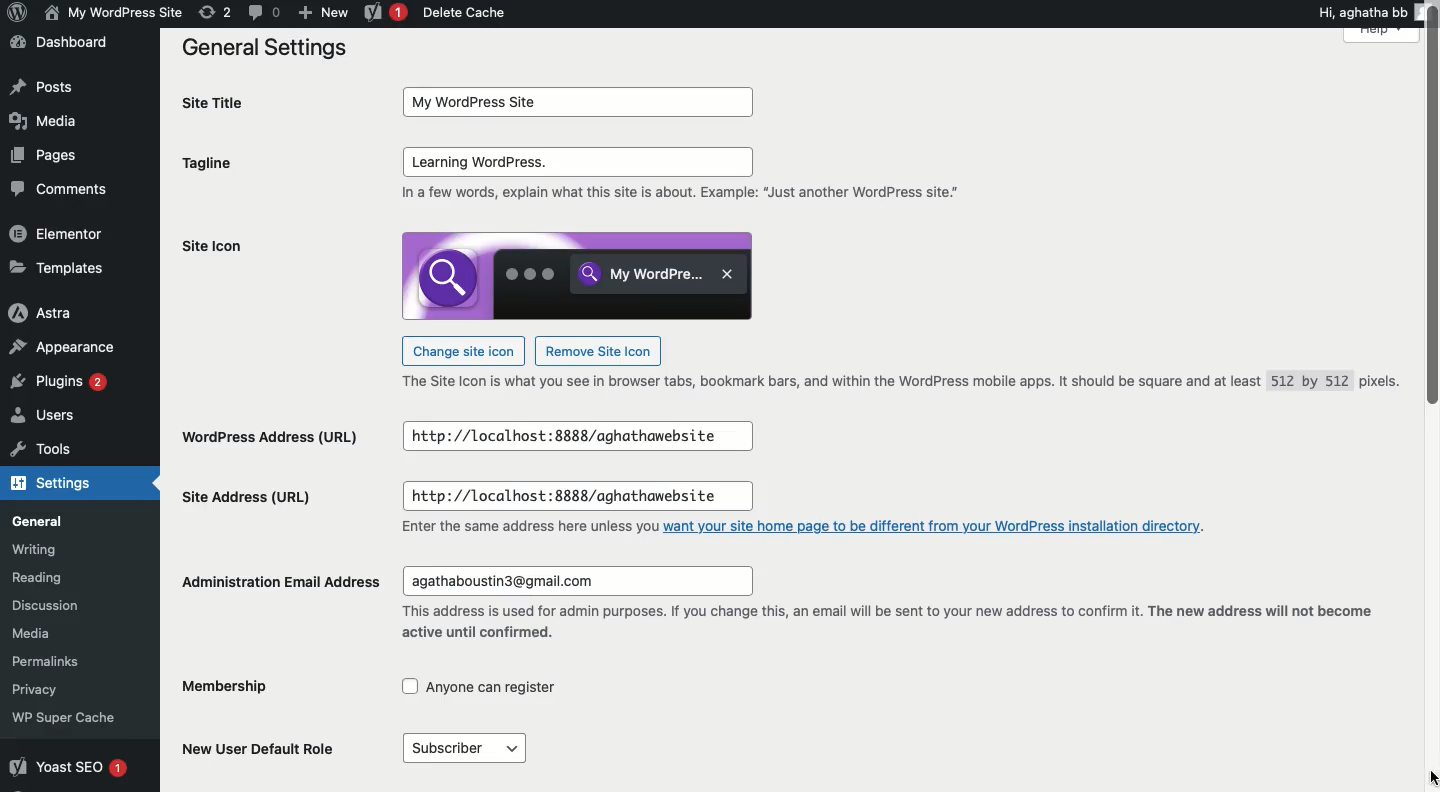 This screenshot has width=1440, height=792. Describe the element at coordinates (383, 13) in the screenshot. I see `Yoast 1` at that location.